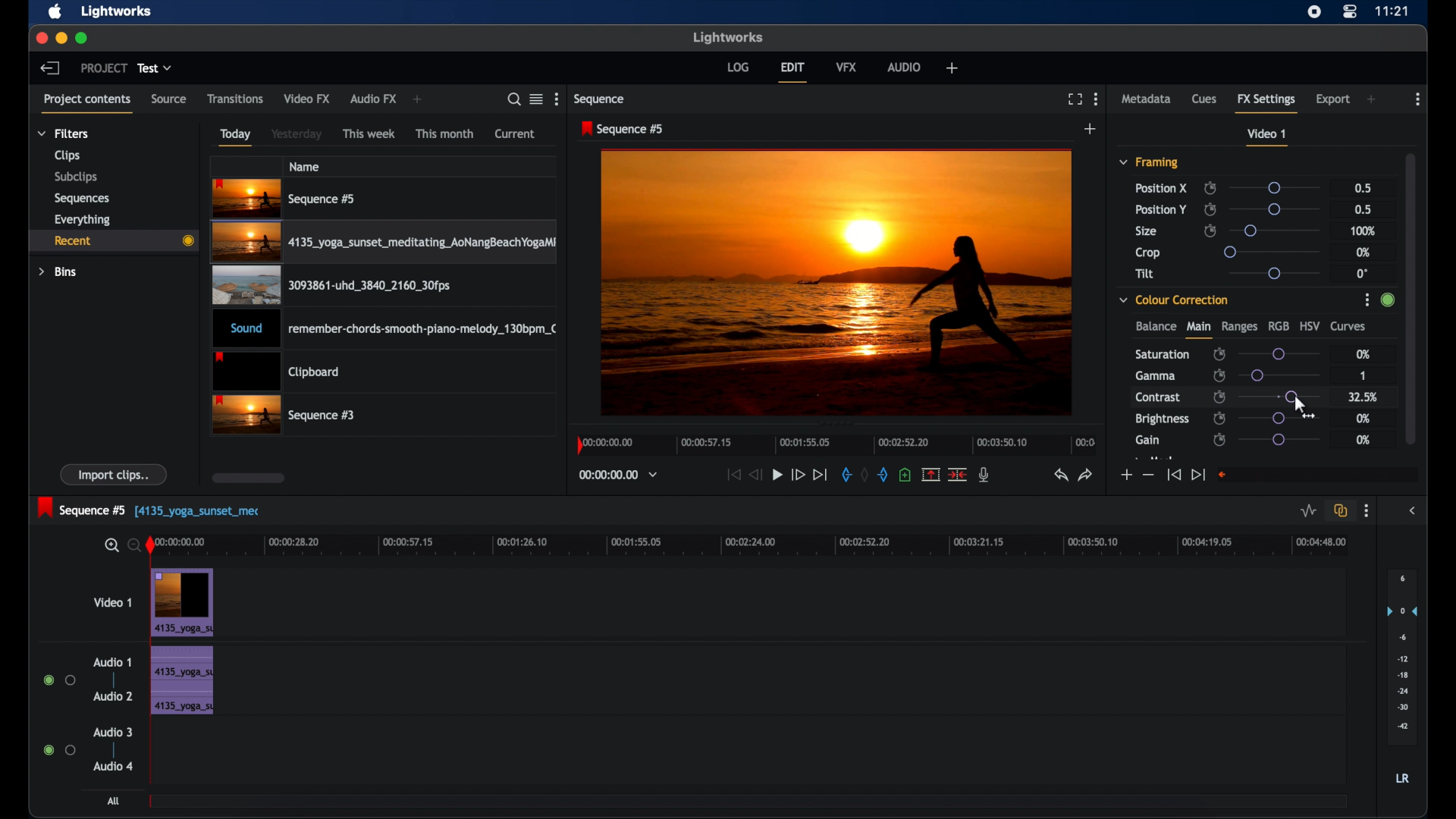 The image size is (1456, 819). What do you see at coordinates (1364, 419) in the screenshot?
I see `0%` at bounding box center [1364, 419].